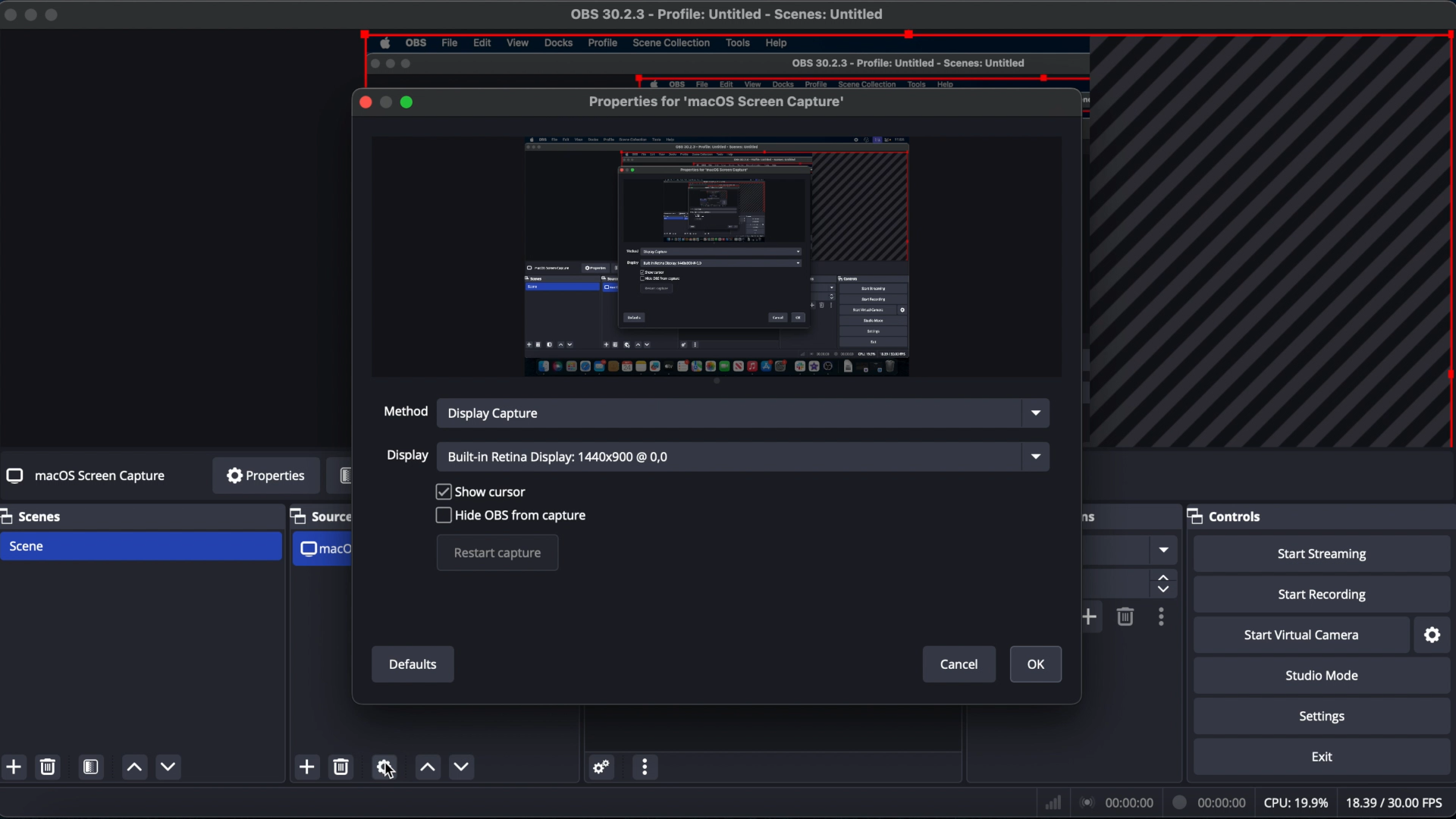  What do you see at coordinates (645, 767) in the screenshot?
I see `audio mixer menu` at bounding box center [645, 767].